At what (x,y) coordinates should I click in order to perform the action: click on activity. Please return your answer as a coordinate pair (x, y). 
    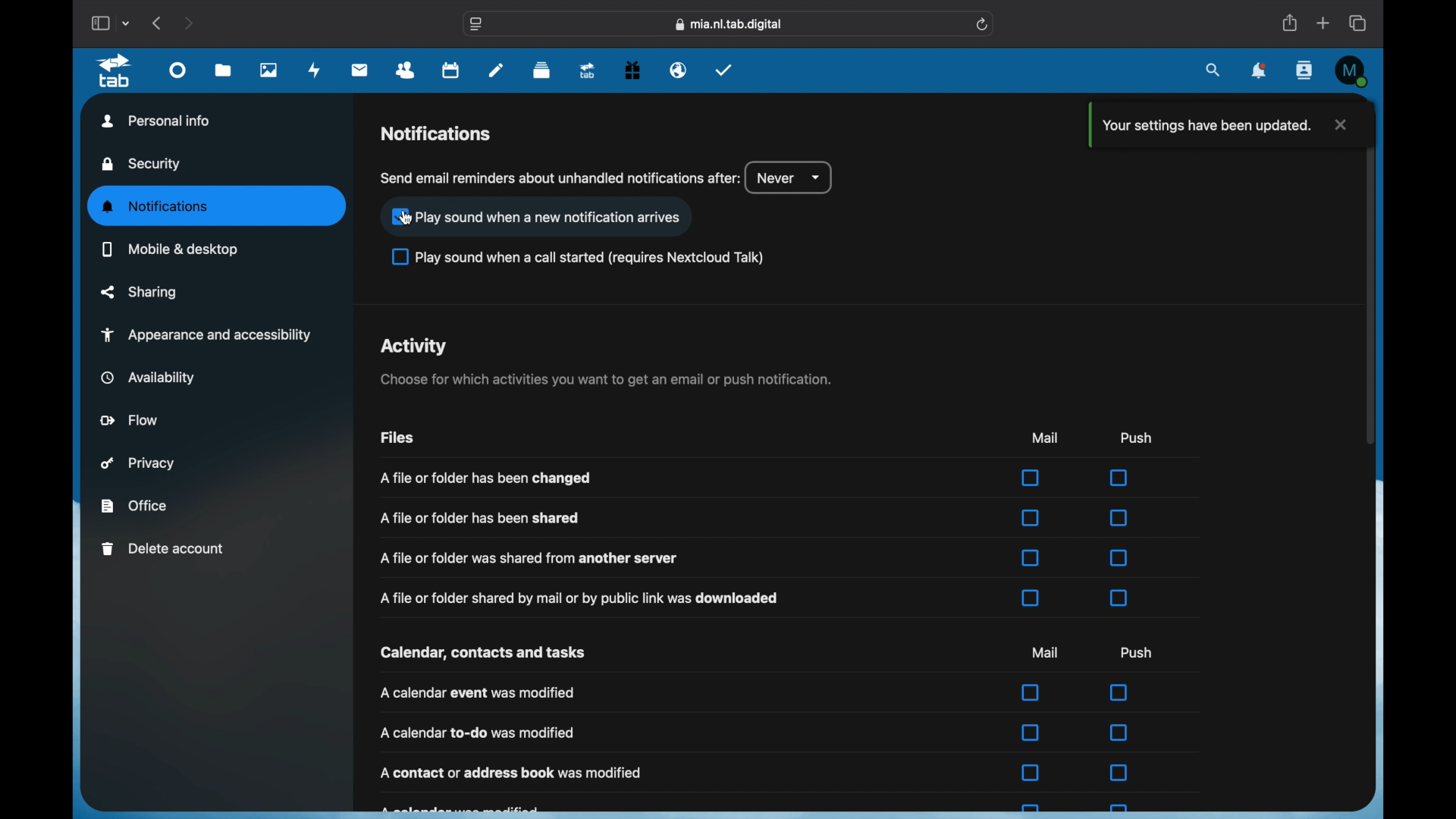
    Looking at the image, I should click on (315, 70).